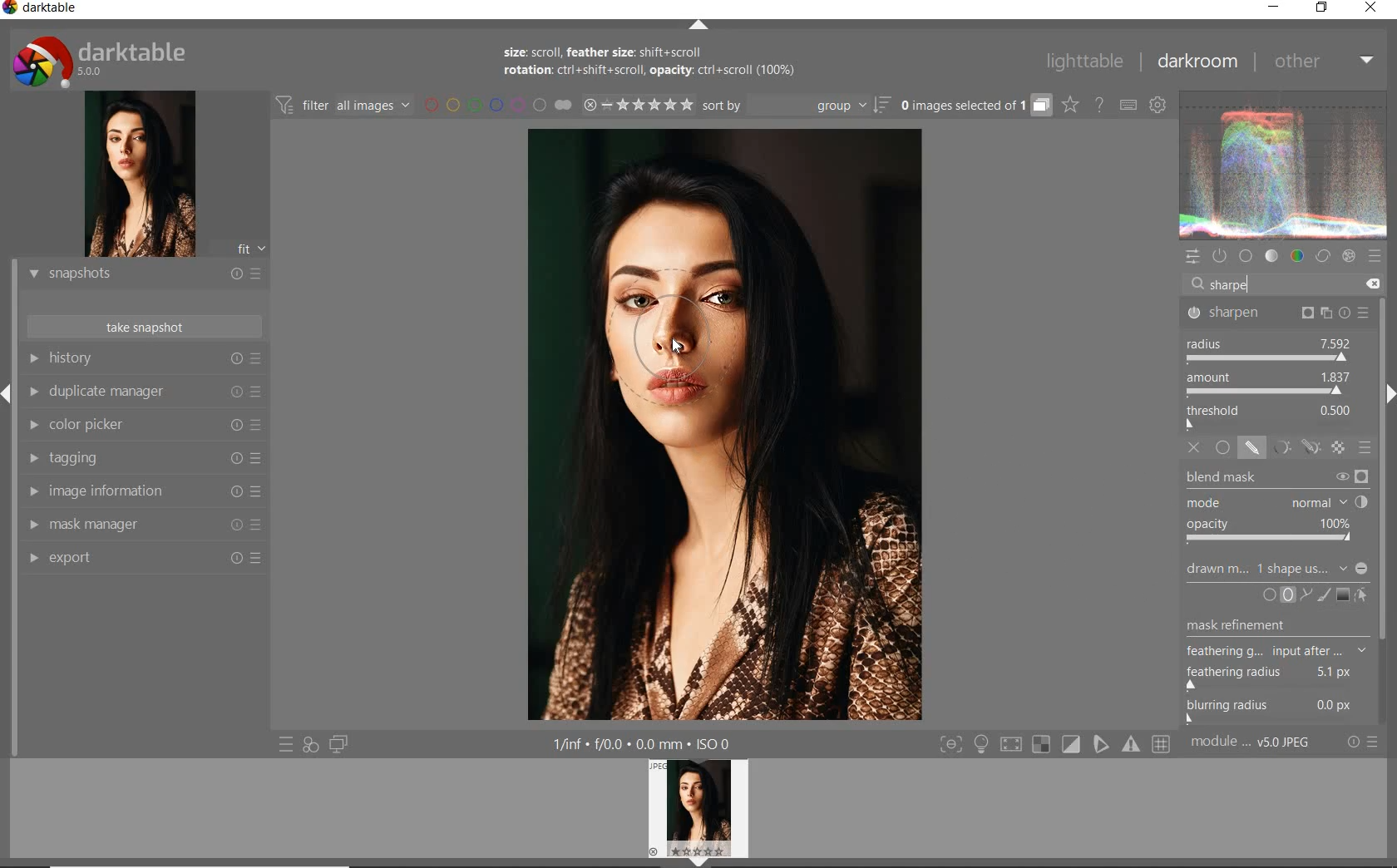  I want to click on HISTORY, so click(144, 360).